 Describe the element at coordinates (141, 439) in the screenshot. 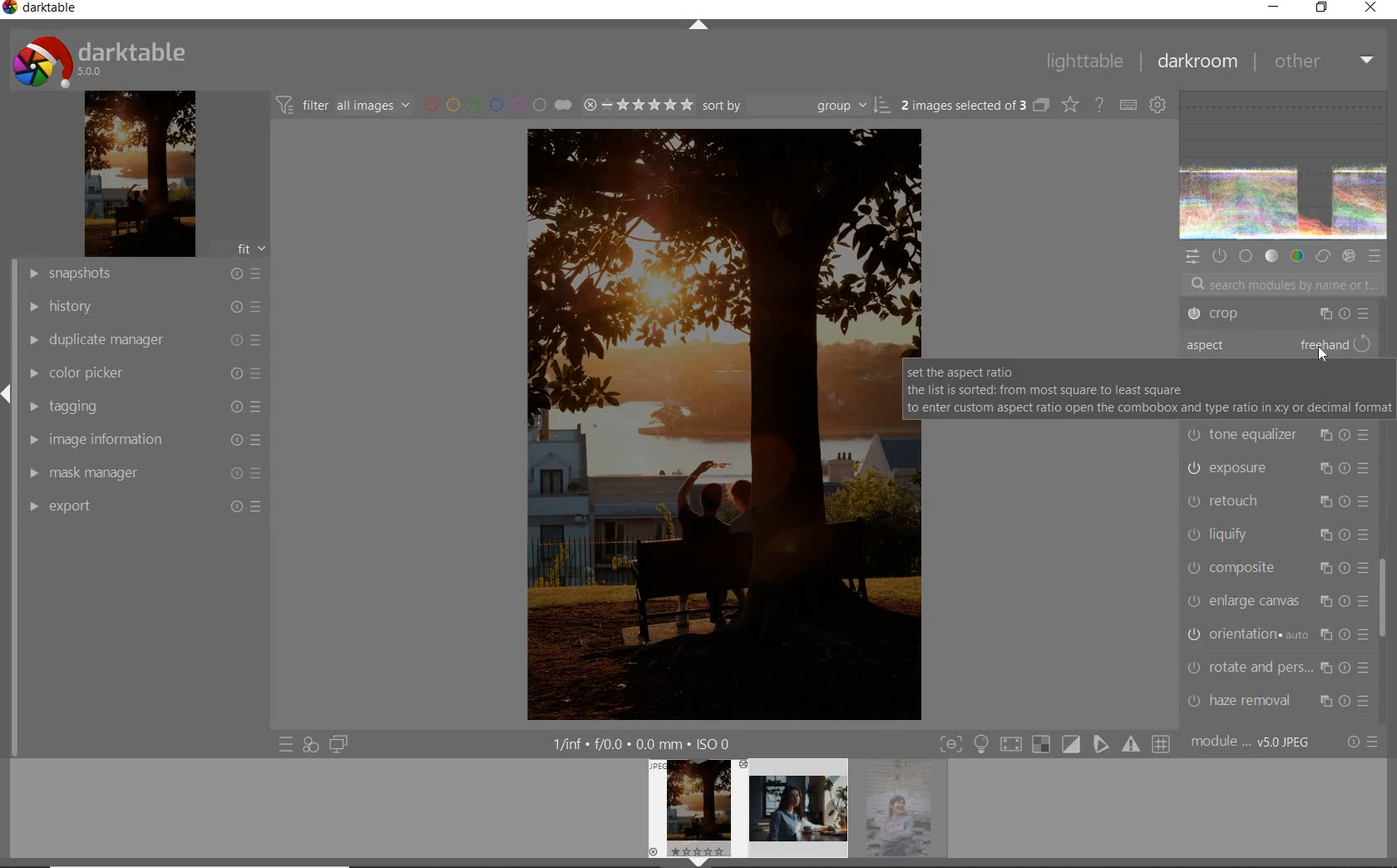

I see `image information` at that location.